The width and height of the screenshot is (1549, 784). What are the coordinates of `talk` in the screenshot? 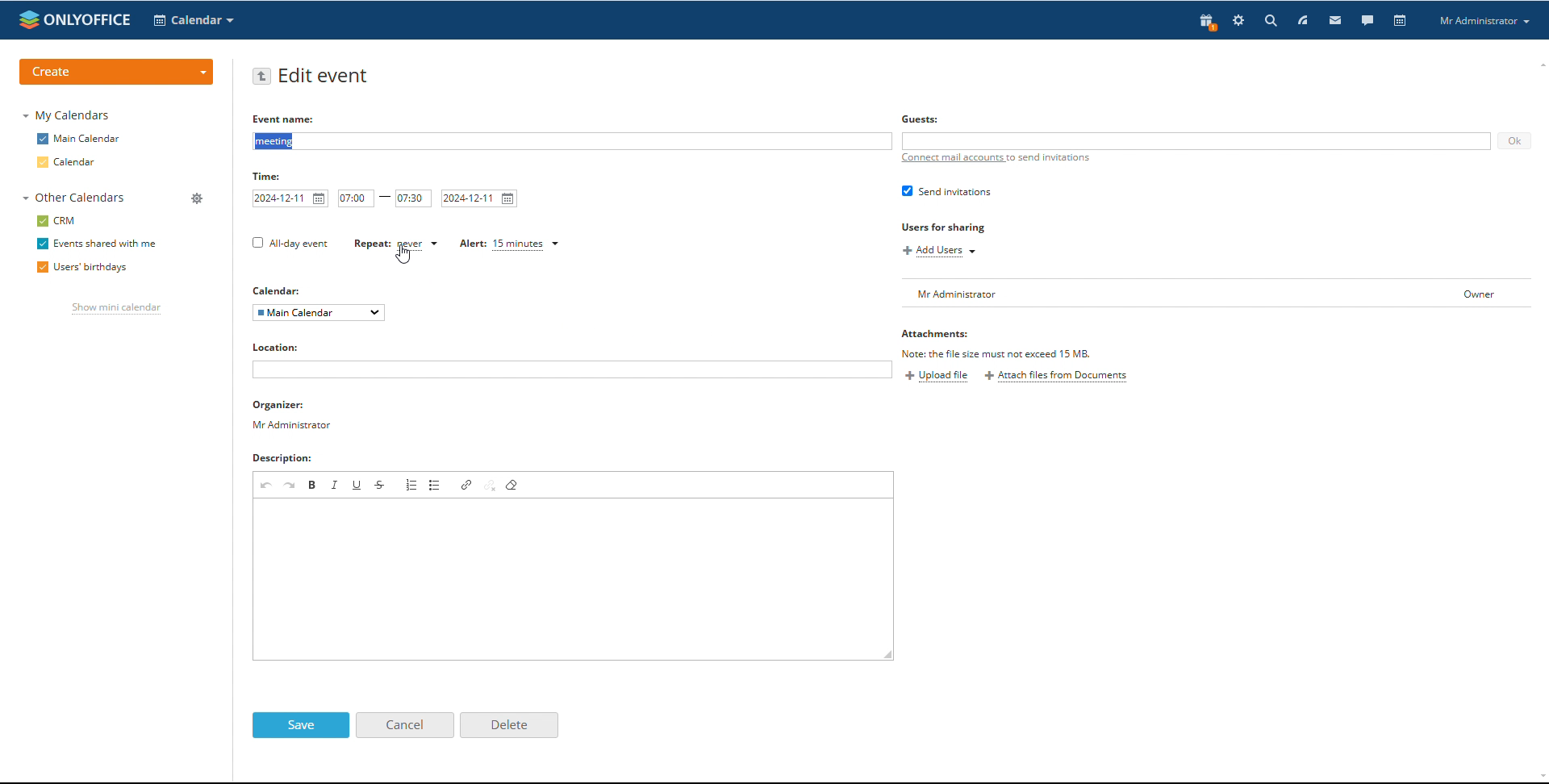 It's located at (1367, 21).